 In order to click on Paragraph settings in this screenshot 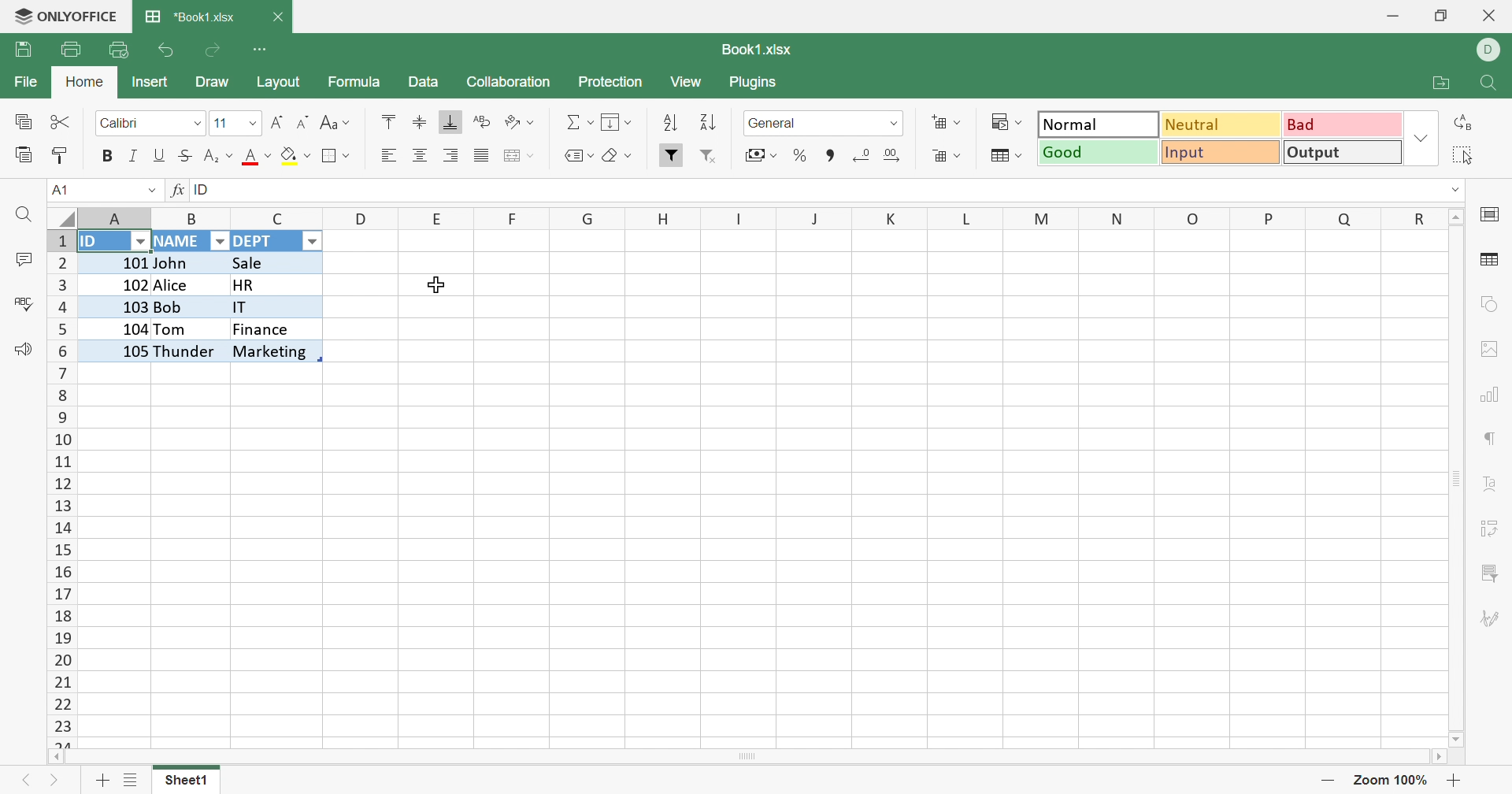, I will do `click(1491, 437)`.